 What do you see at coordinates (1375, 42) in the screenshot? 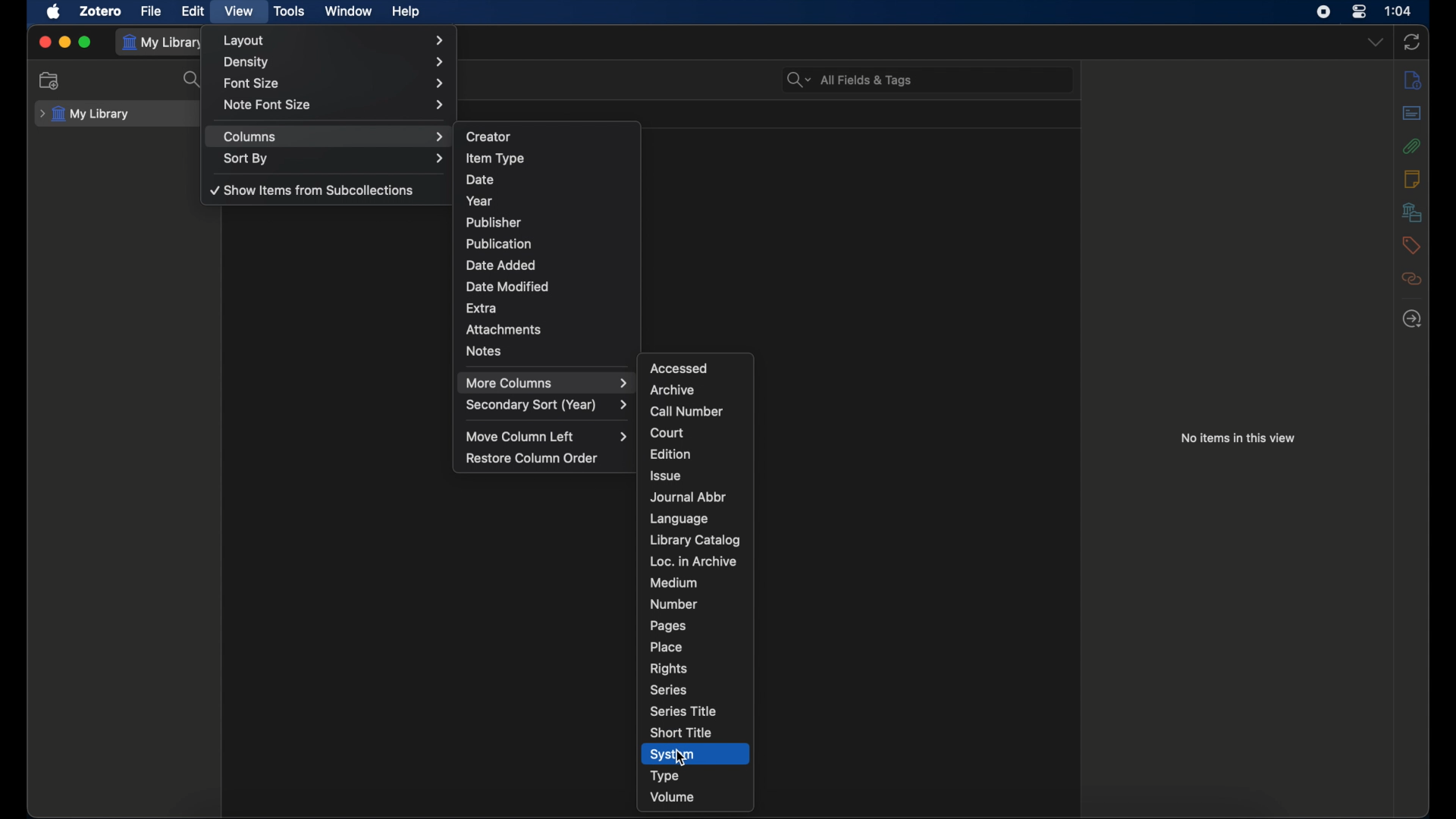
I see `dropdown` at bounding box center [1375, 42].